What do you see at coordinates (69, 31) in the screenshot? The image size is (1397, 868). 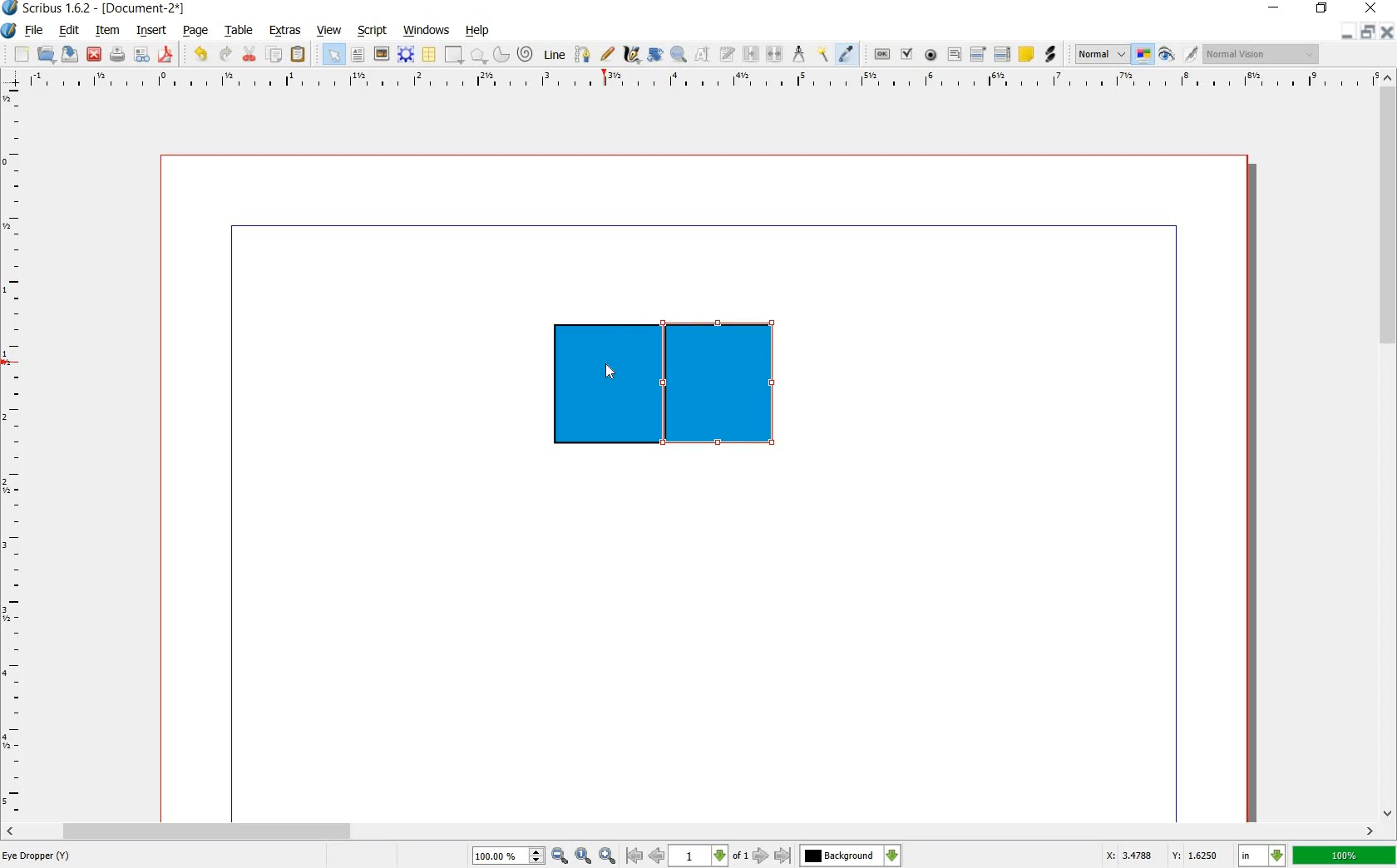 I see `edit` at bounding box center [69, 31].